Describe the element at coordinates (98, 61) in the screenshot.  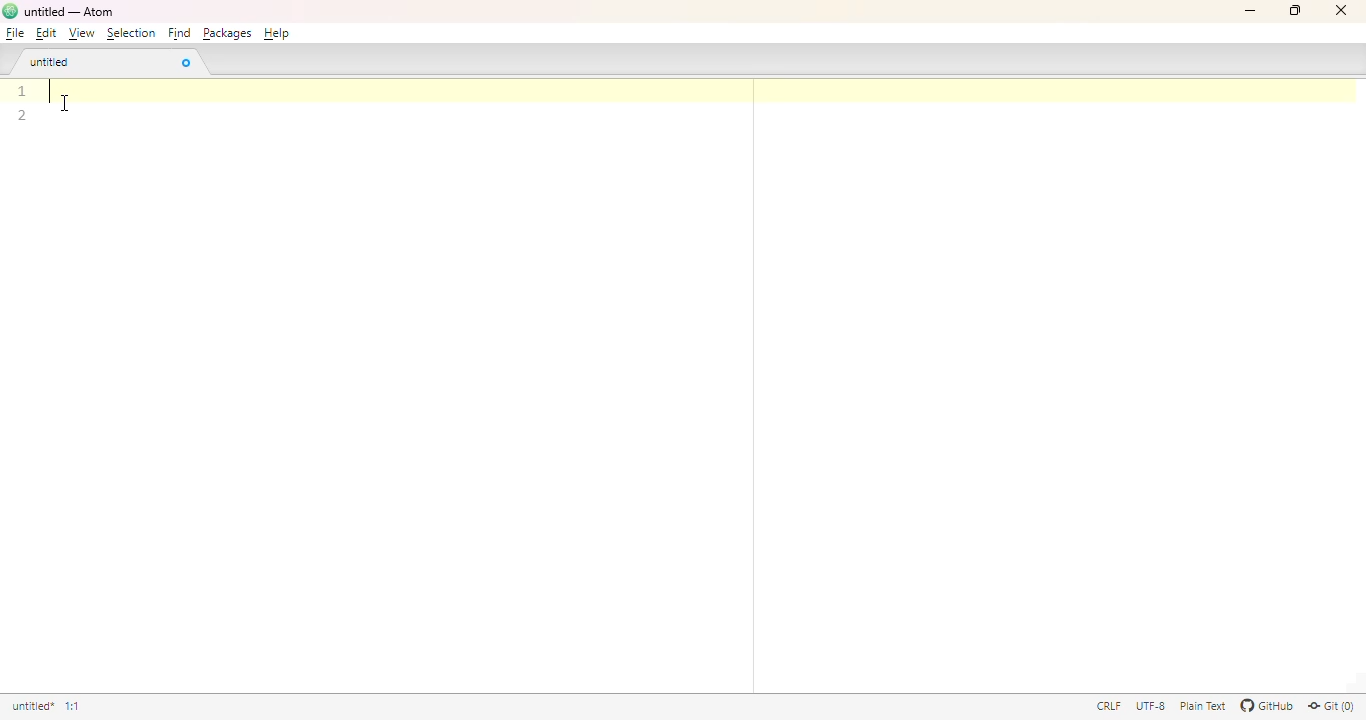
I see `untitled tab` at that location.